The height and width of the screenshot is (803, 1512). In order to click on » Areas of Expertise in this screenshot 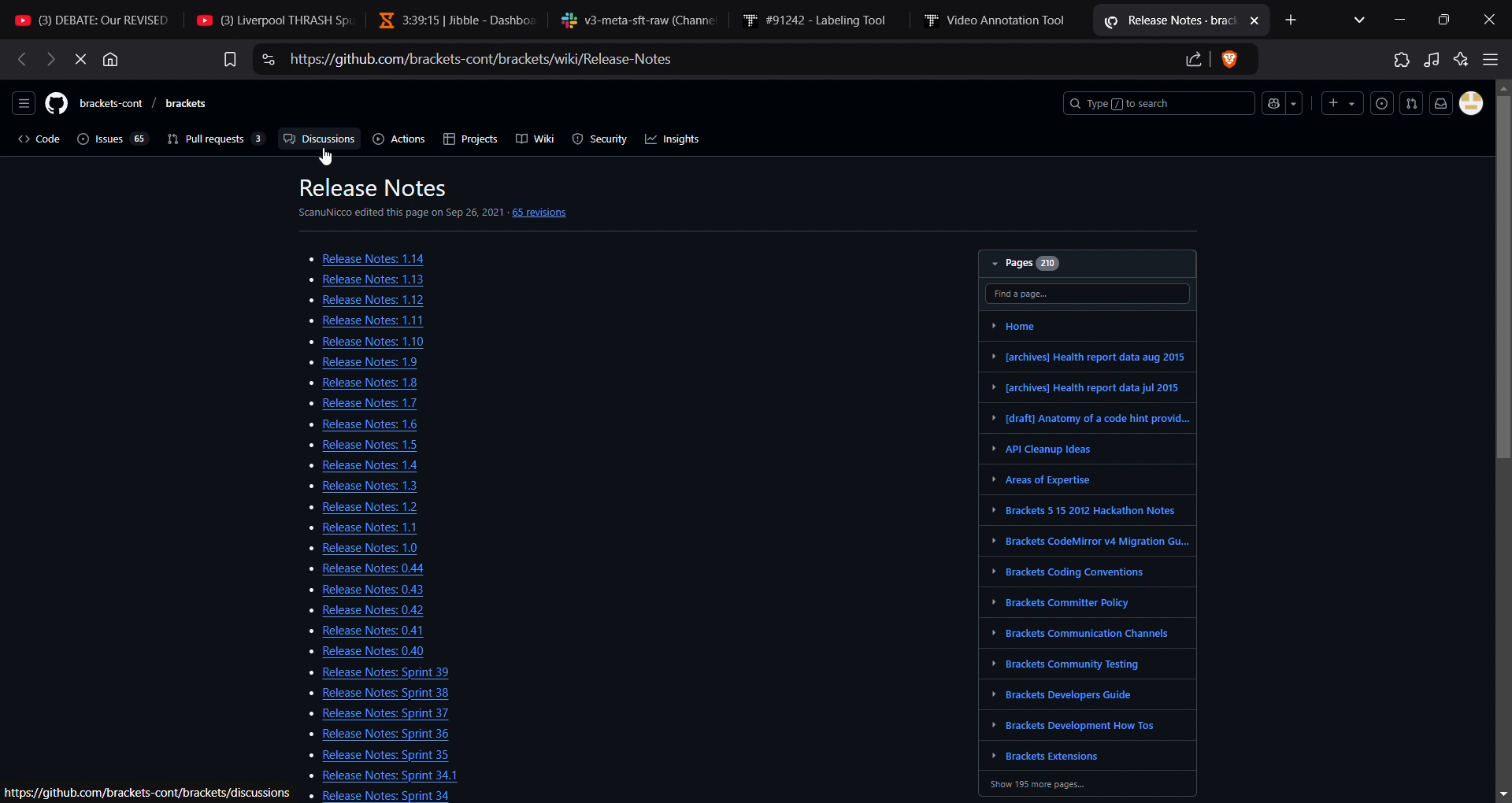, I will do `click(1047, 479)`.